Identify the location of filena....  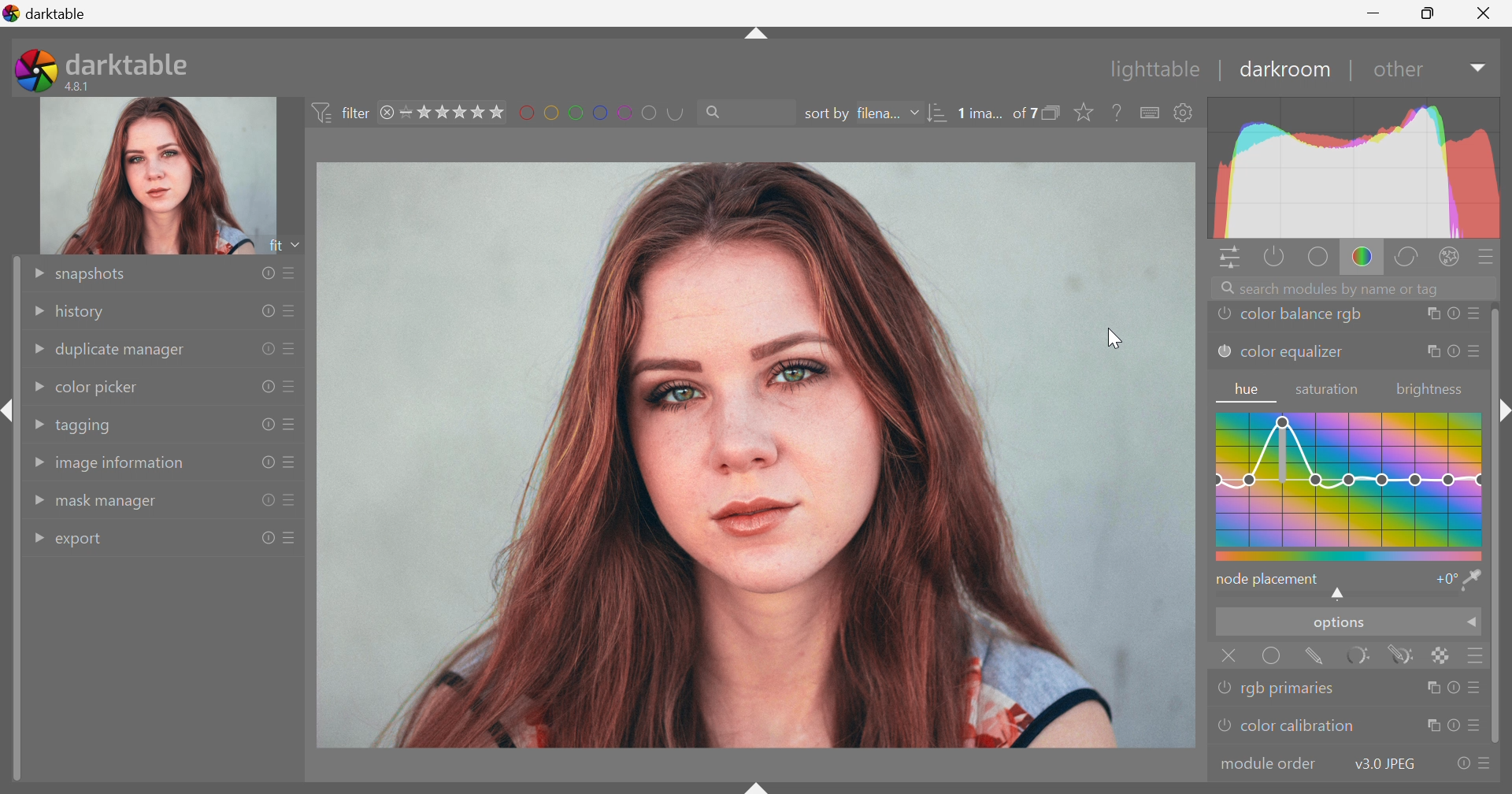
(880, 112).